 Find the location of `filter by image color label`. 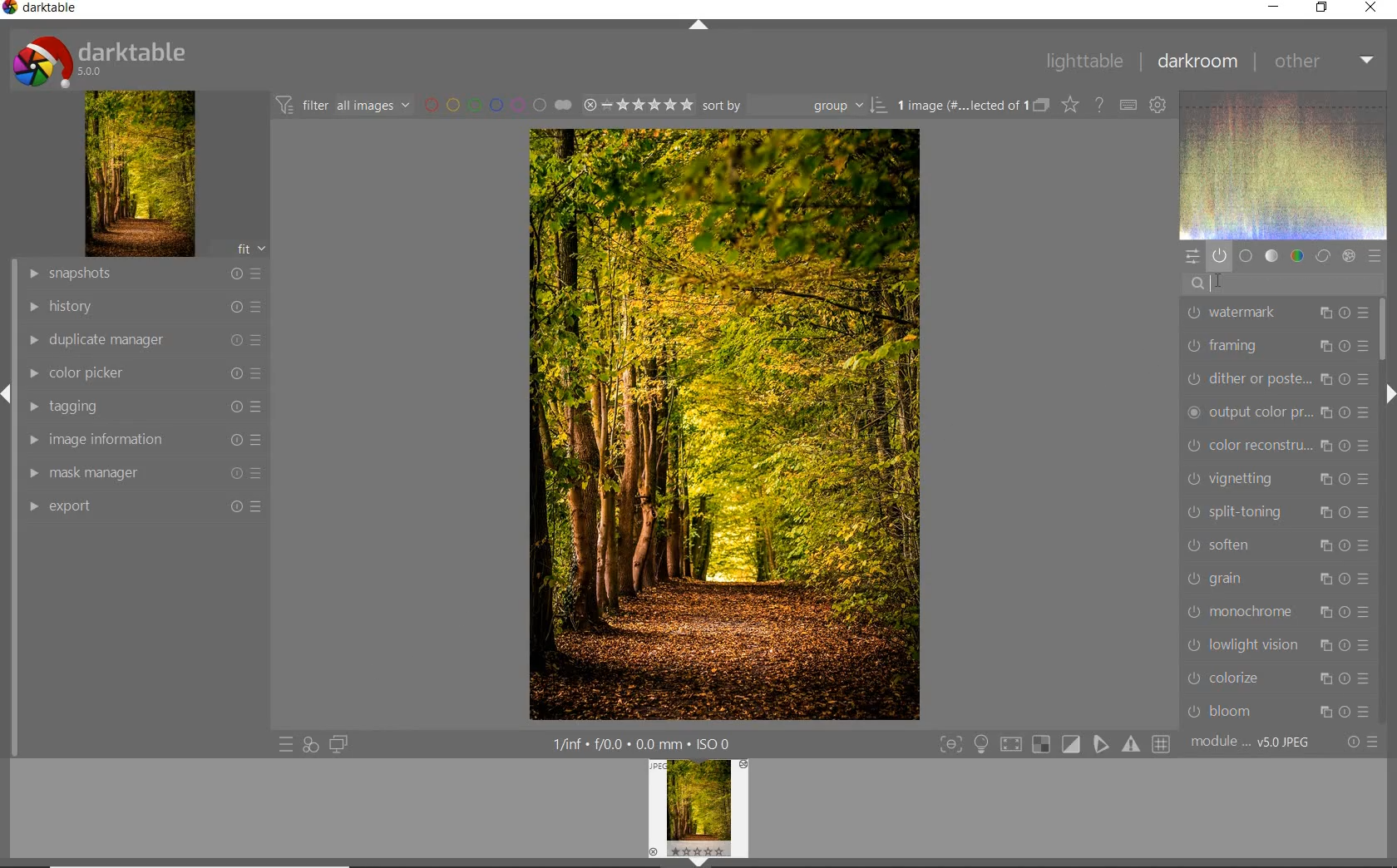

filter by image color label is located at coordinates (496, 105).